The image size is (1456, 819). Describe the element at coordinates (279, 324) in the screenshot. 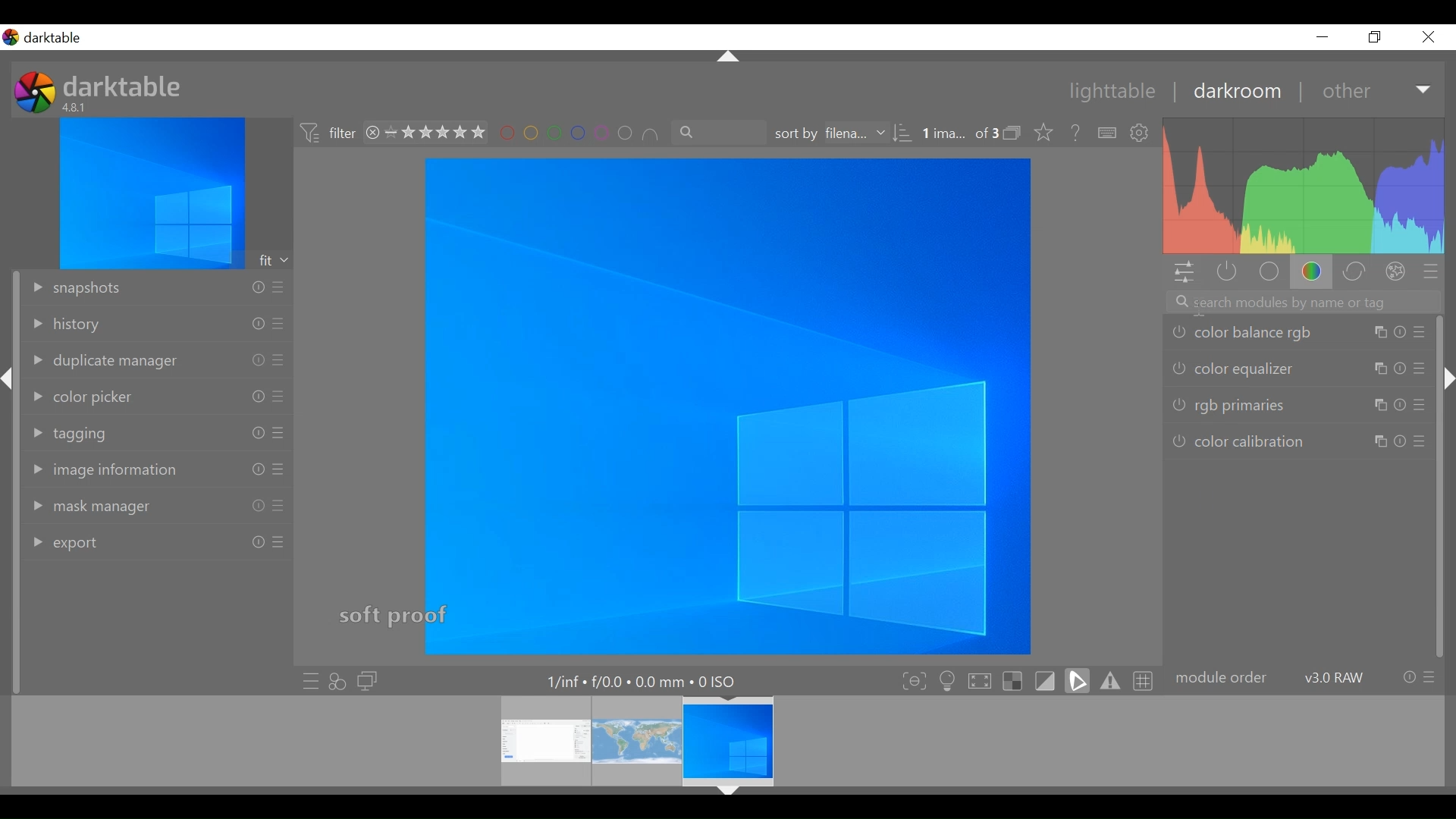

I see `presets` at that location.